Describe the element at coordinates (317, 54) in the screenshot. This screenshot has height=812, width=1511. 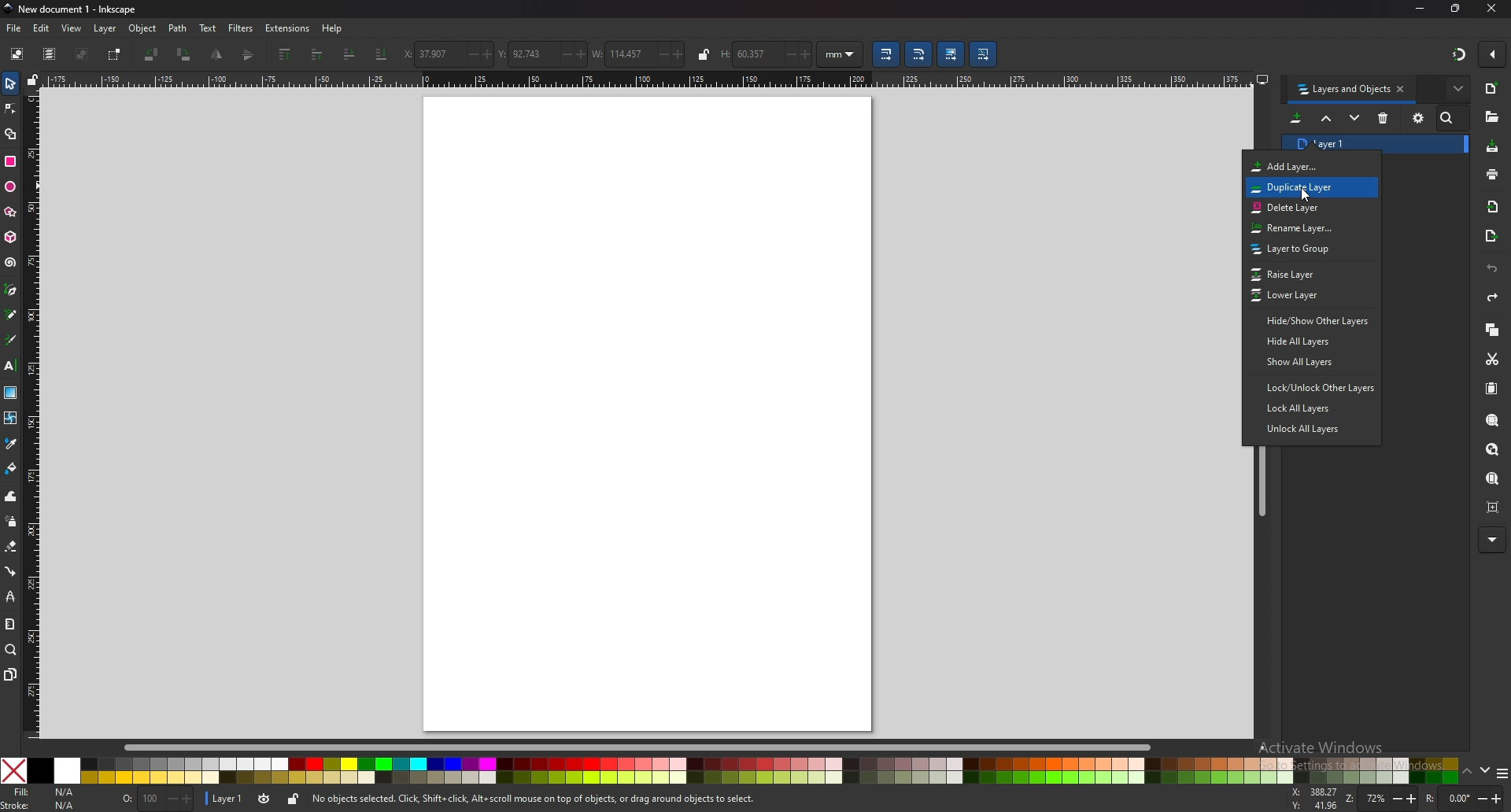
I see `raise one step` at that location.